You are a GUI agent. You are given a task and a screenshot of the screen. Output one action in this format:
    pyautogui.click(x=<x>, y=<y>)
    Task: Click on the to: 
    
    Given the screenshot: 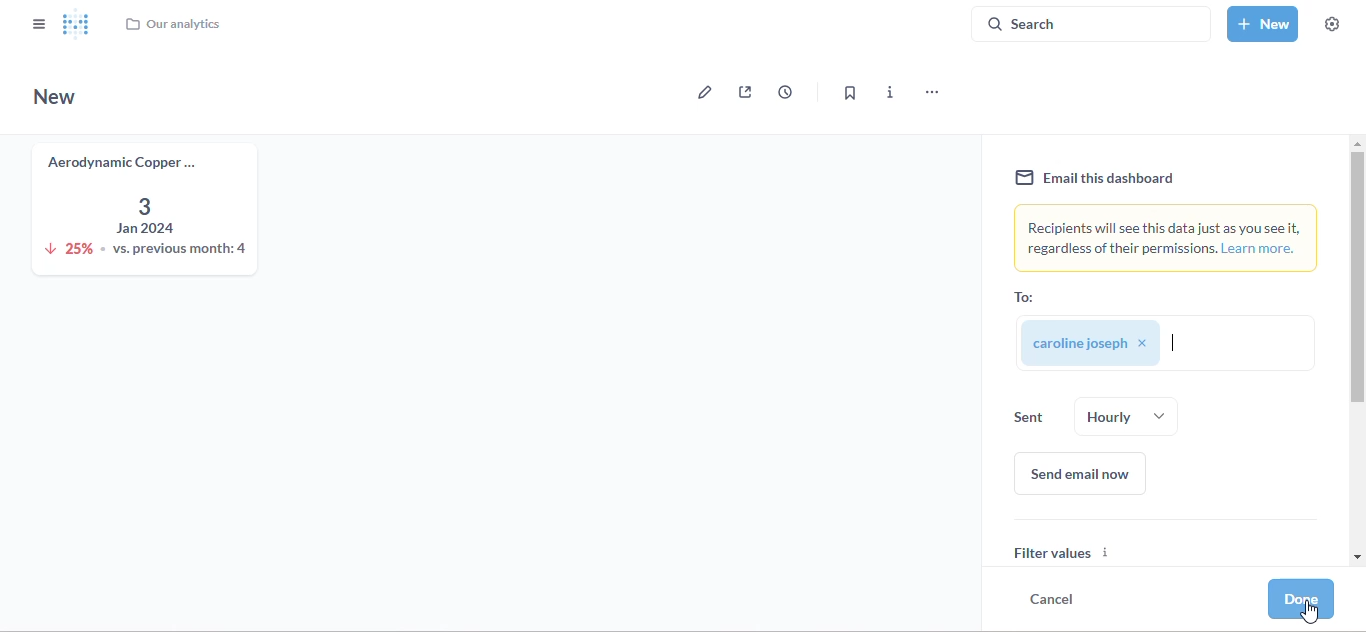 What is the action you would take?
    pyautogui.click(x=1024, y=297)
    